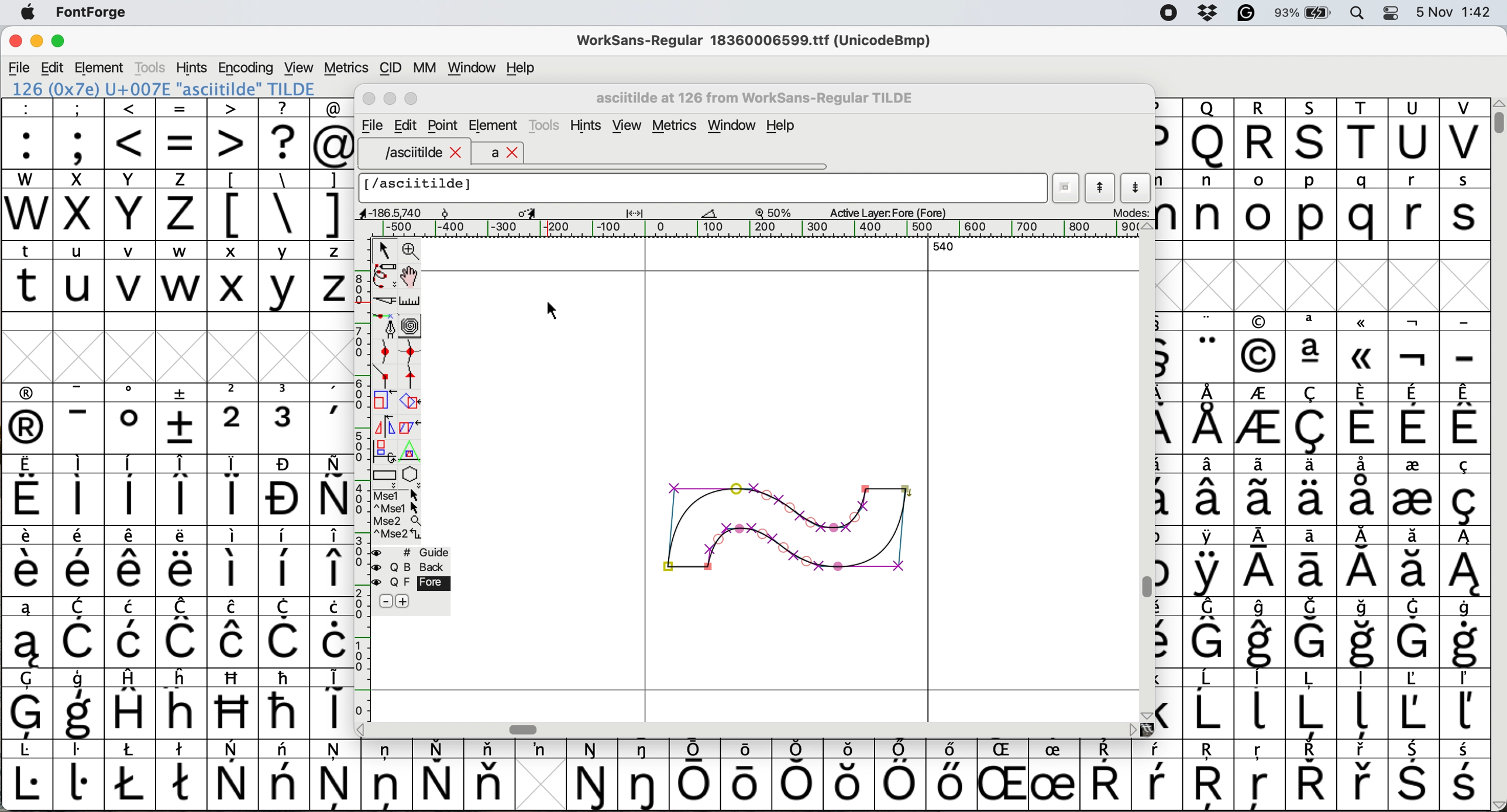 The width and height of the screenshot is (1507, 812). I want to click on symbol, so click(183, 490).